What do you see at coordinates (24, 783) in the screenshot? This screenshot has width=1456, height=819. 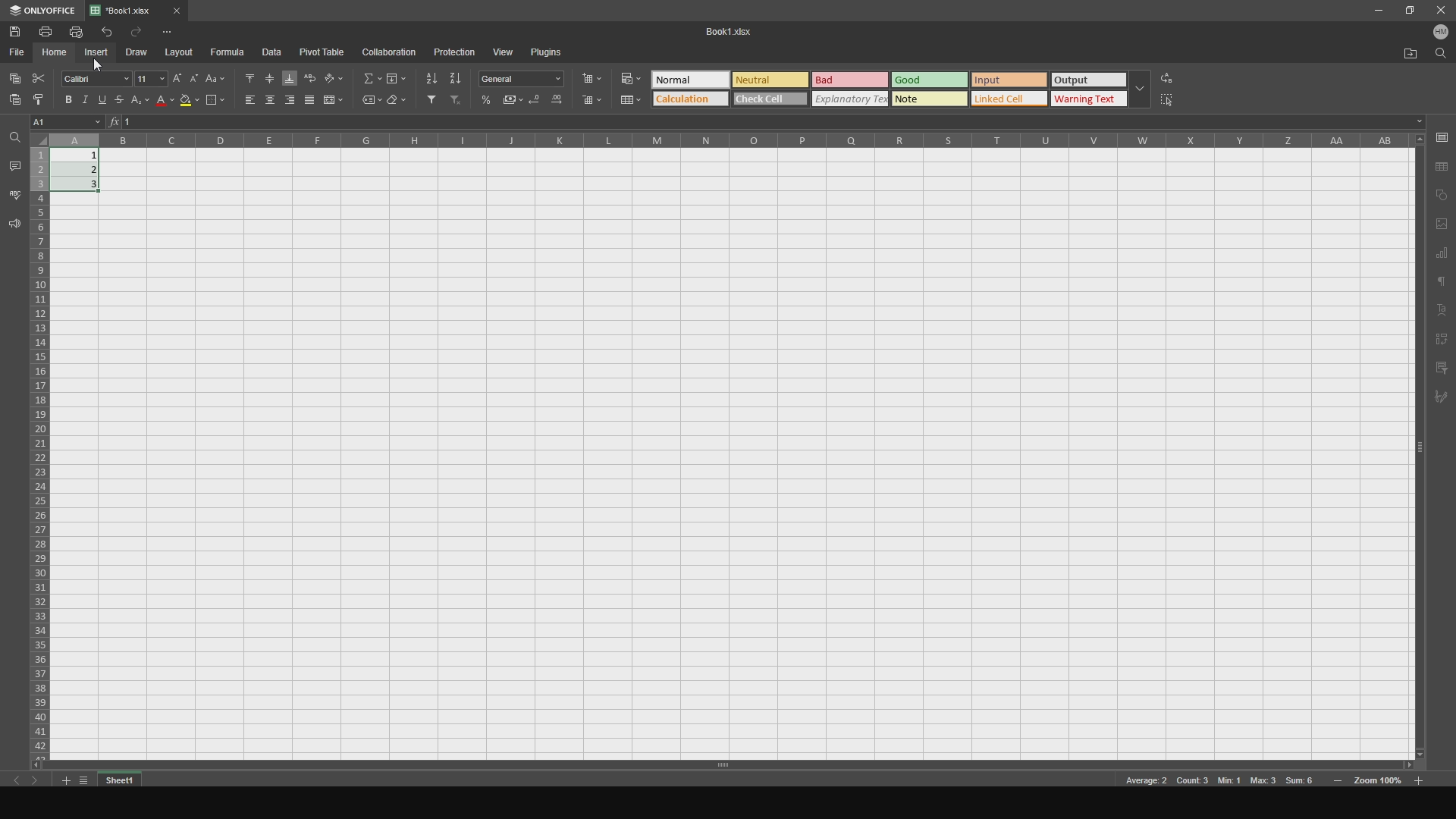 I see `previous sheet` at bounding box center [24, 783].